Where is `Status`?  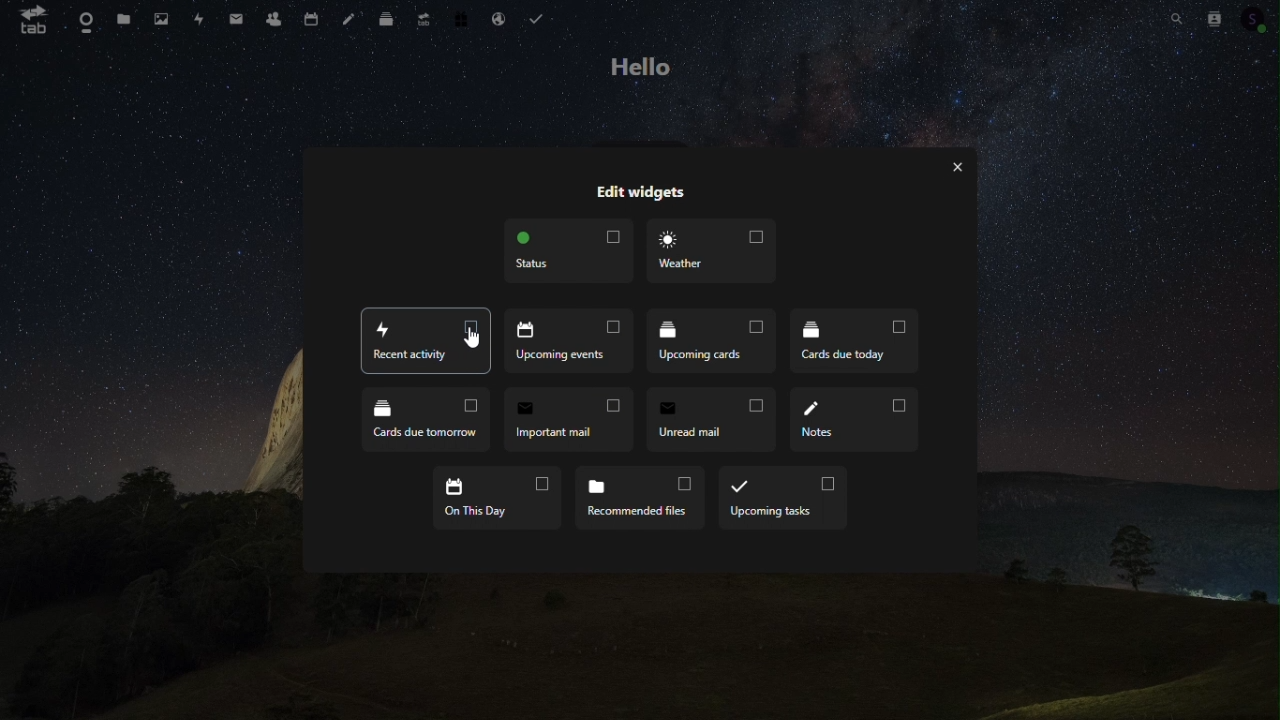
Status is located at coordinates (567, 250).